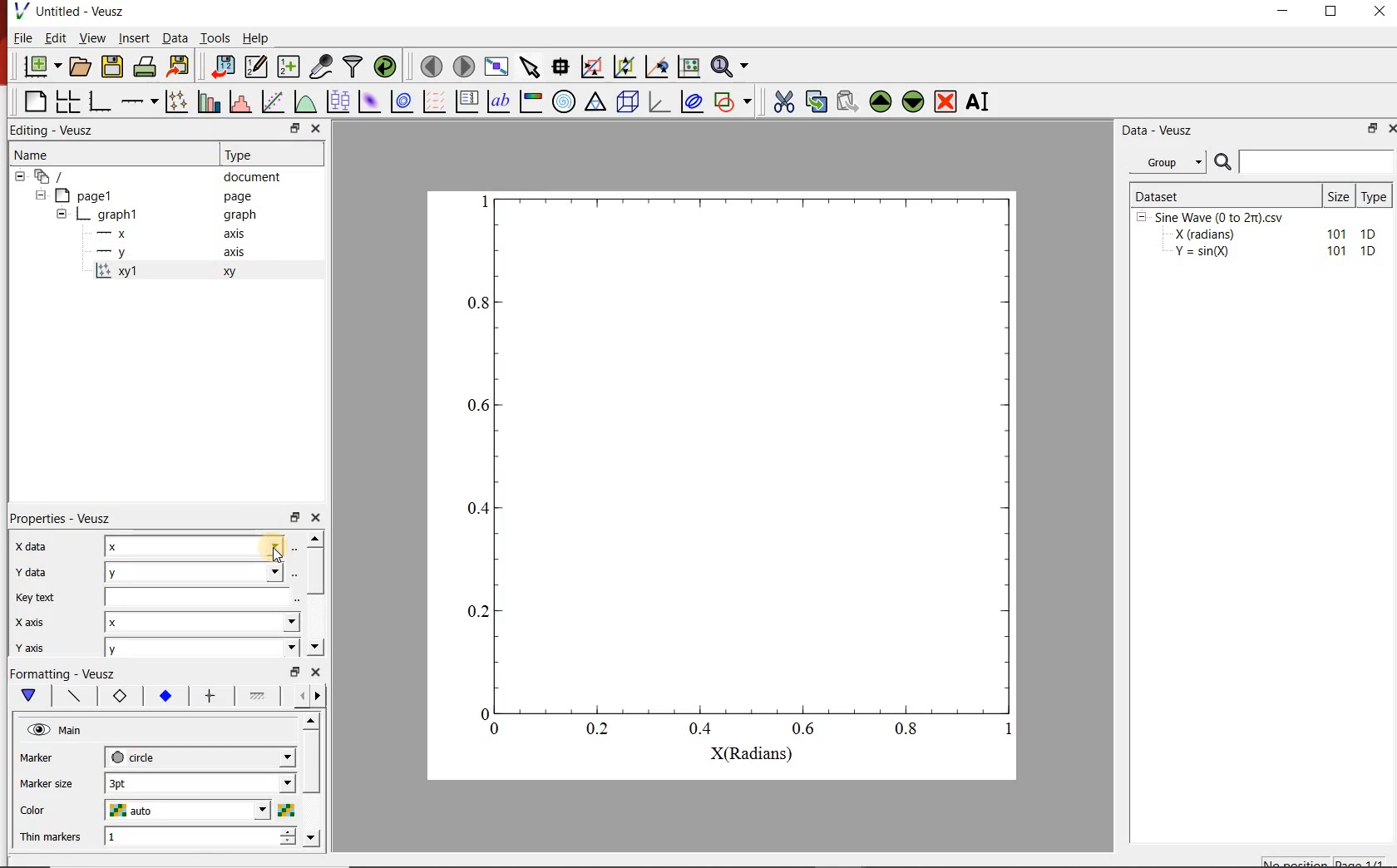 The width and height of the screenshot is (1397, 868). What do you see at coordinates (847, 101) in the screenshot?
I see `paste` at bounding box center [847, 101].